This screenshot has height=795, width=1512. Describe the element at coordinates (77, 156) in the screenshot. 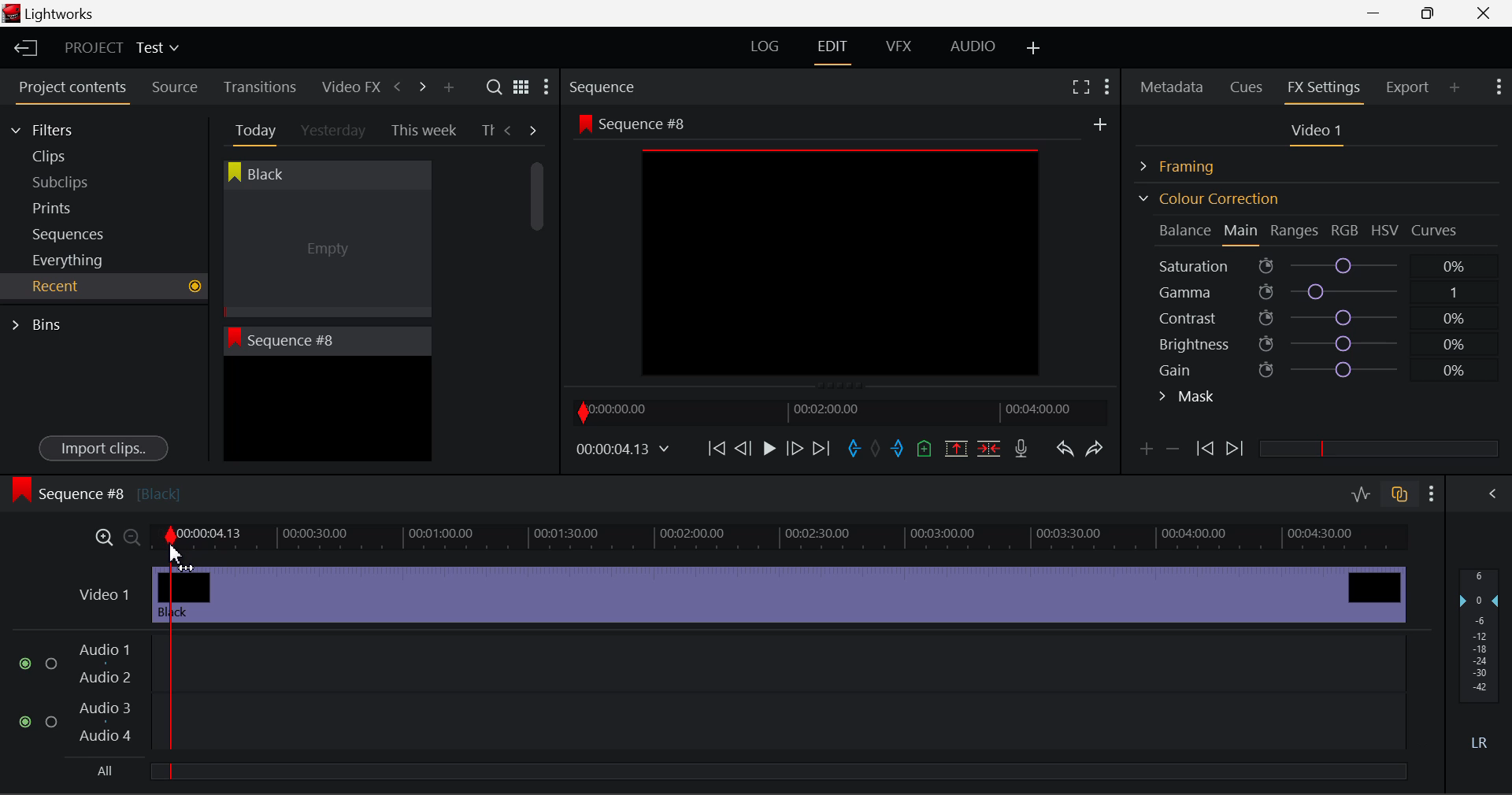

I see `Clips` at that location.